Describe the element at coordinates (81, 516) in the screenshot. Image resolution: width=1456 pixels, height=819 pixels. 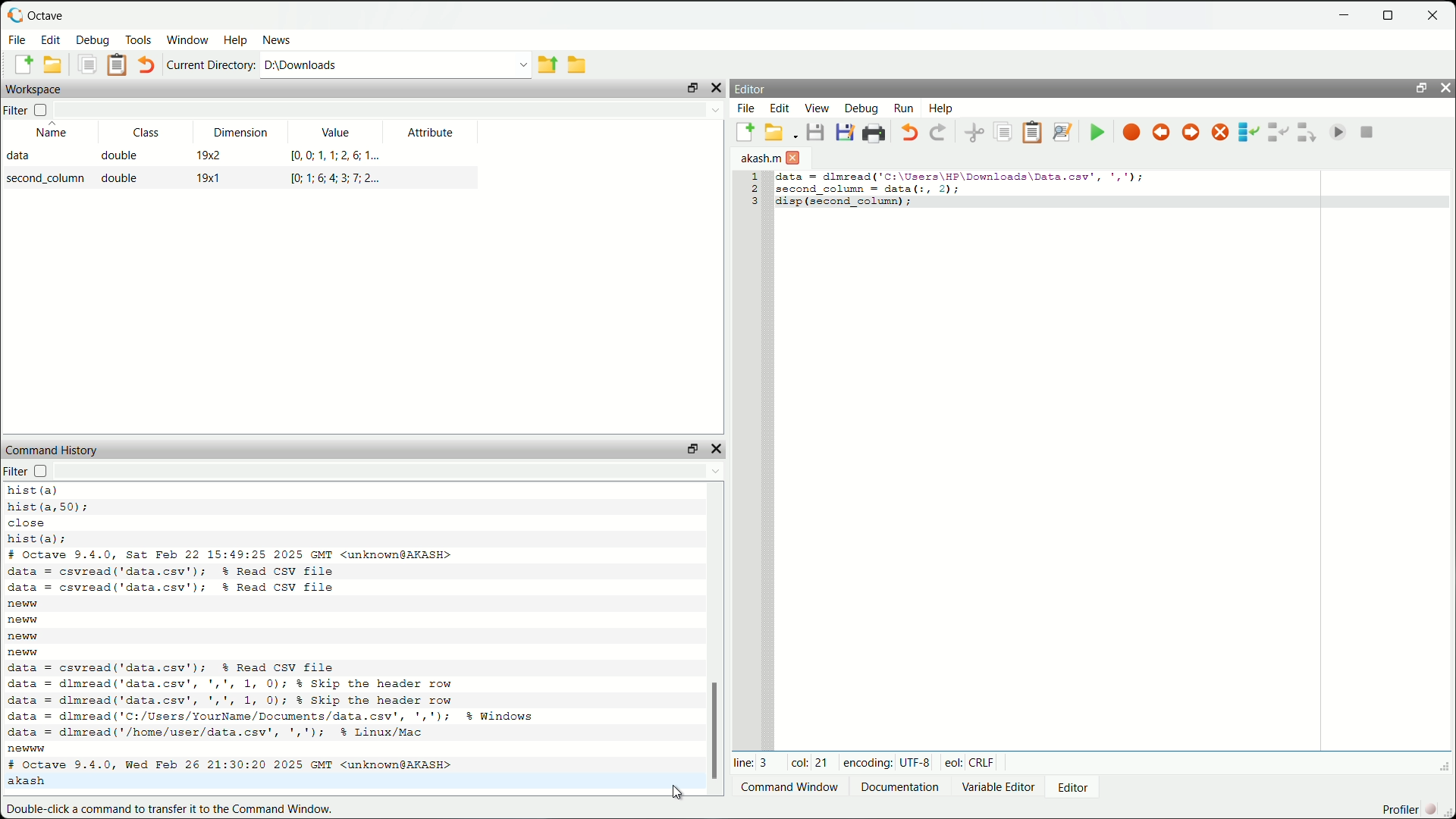
I see `code` at that location.